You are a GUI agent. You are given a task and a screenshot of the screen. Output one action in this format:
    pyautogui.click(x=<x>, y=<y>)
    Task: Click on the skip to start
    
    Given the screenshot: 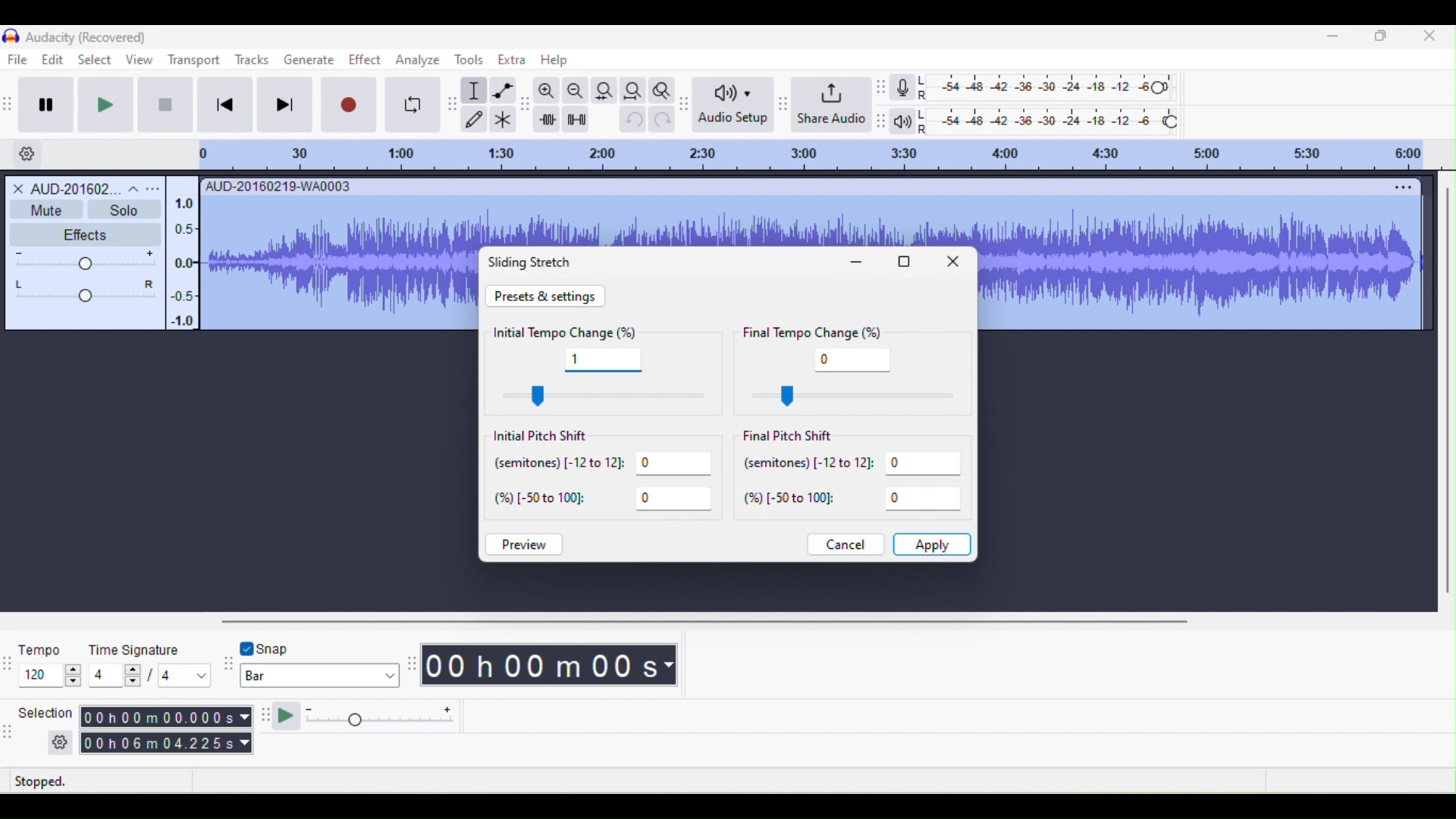 What is the action you would take?
    pyautogui.click(x=227, y=106)
    